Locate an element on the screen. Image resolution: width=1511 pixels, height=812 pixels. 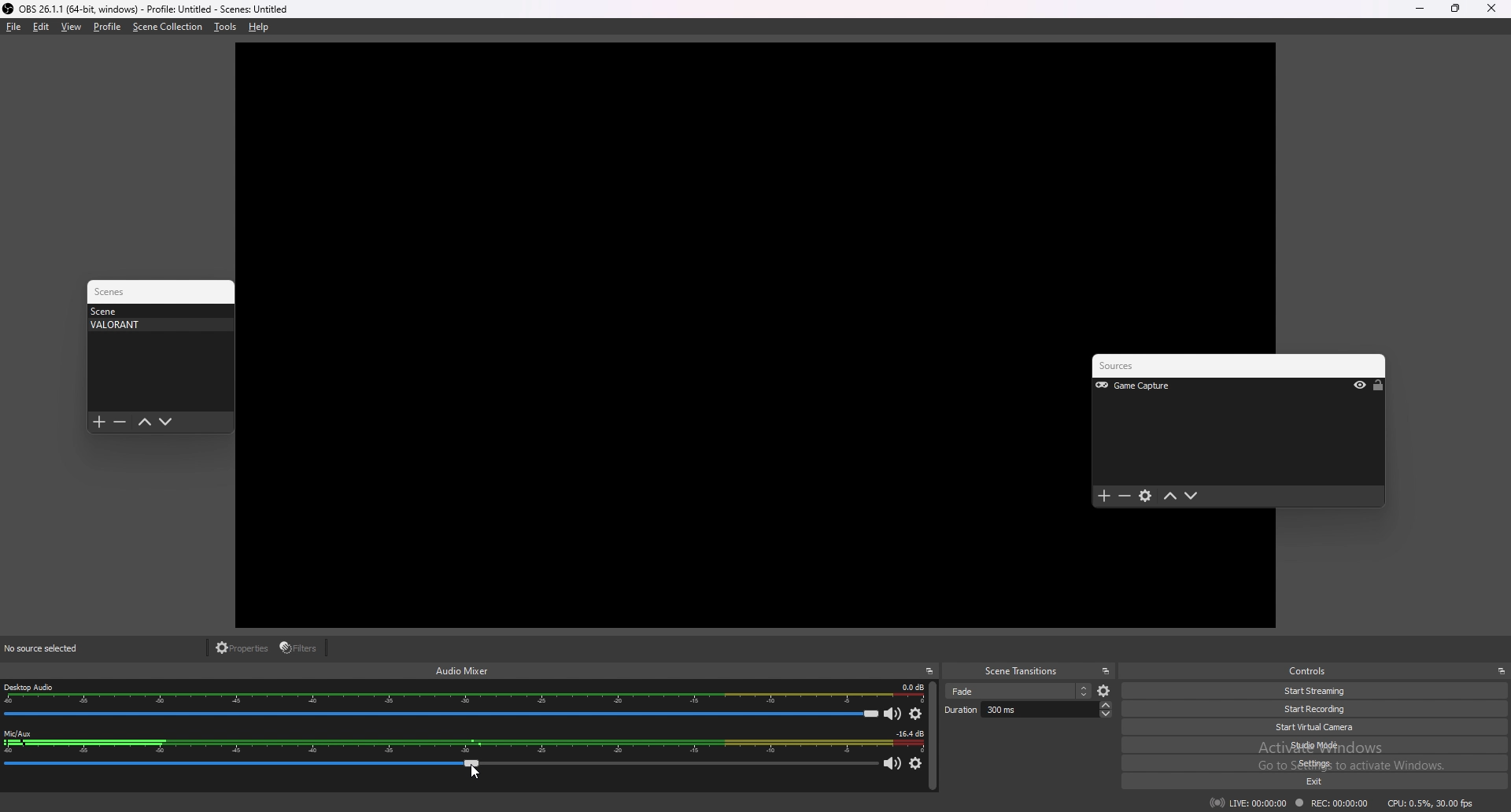
settings is located at coordinates (1147, 497).